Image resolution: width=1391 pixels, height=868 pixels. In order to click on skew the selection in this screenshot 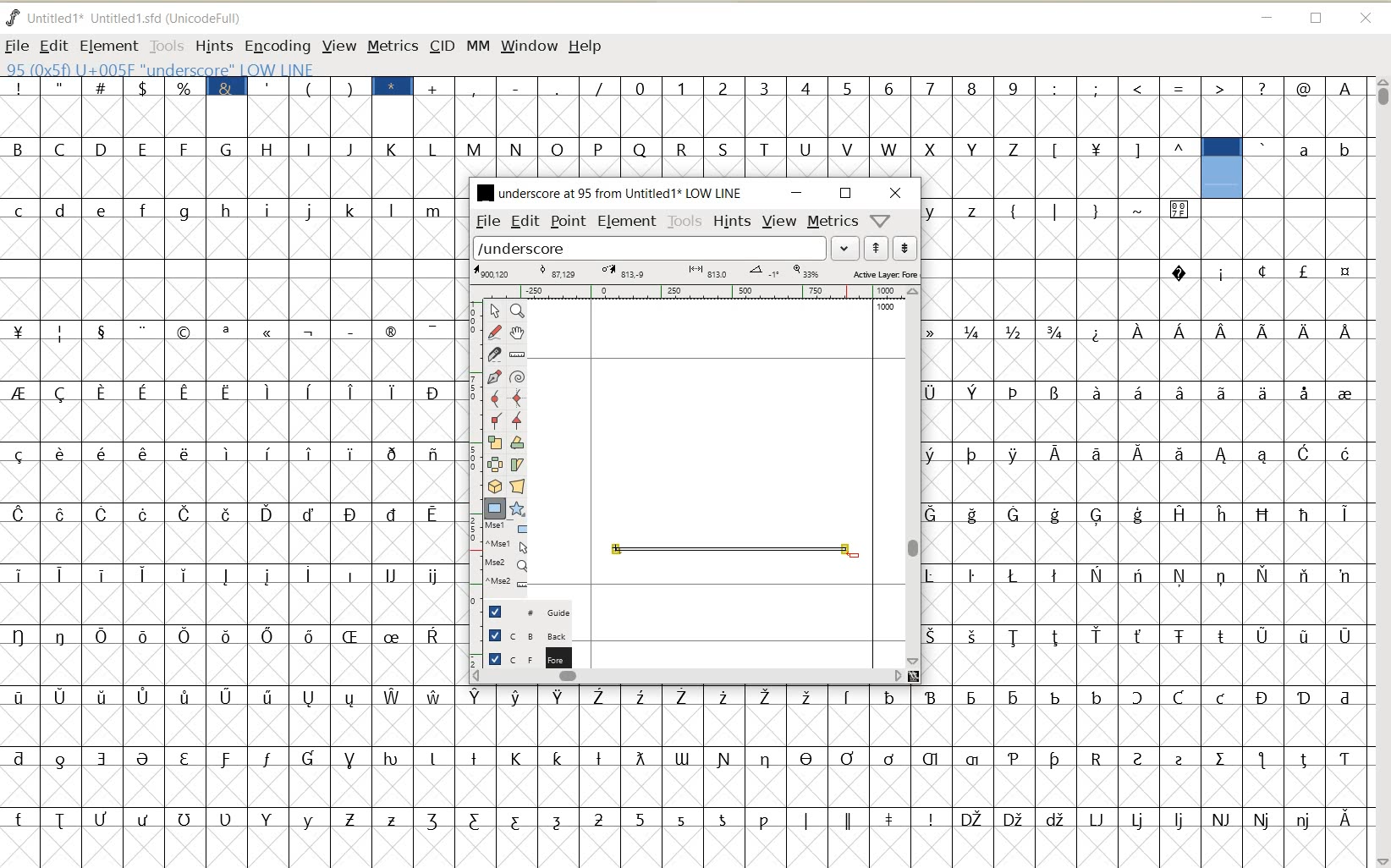, I will do `click(516, 465)`.